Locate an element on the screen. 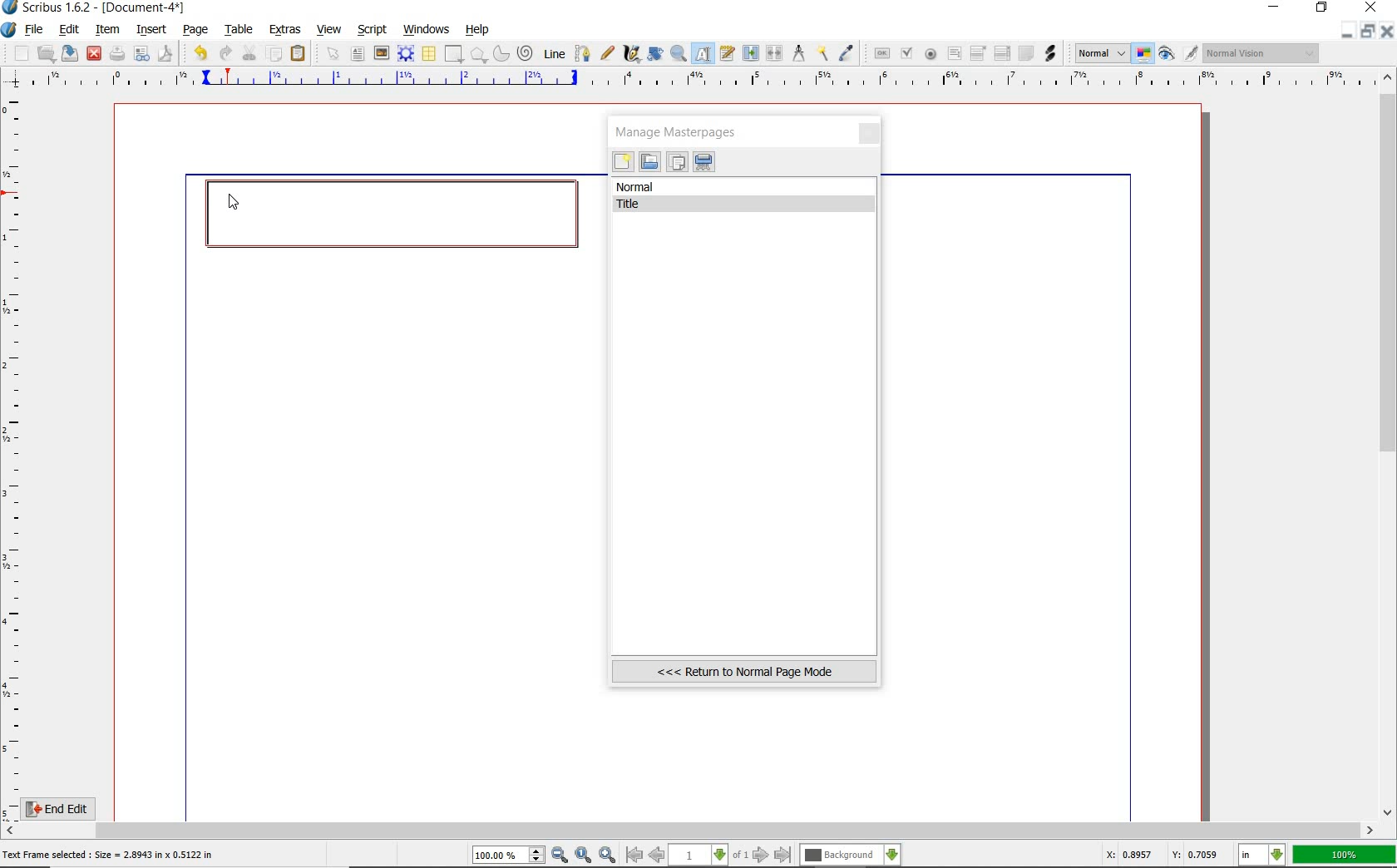 Image resolution: width=1397 pixels, height=868 pixels. restore is located at coordinates (1370, 32).